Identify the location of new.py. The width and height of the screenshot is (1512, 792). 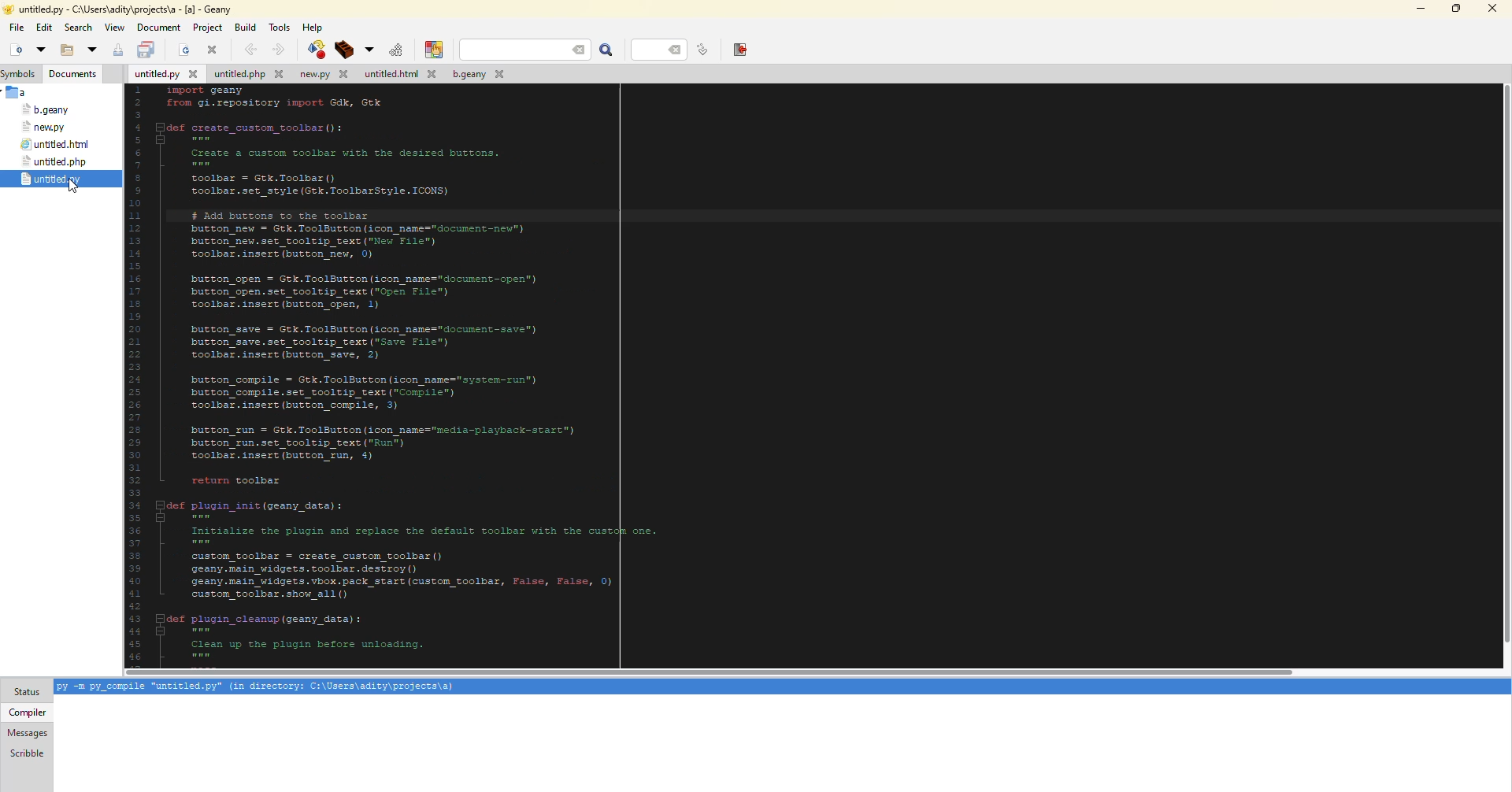
(328, 74).